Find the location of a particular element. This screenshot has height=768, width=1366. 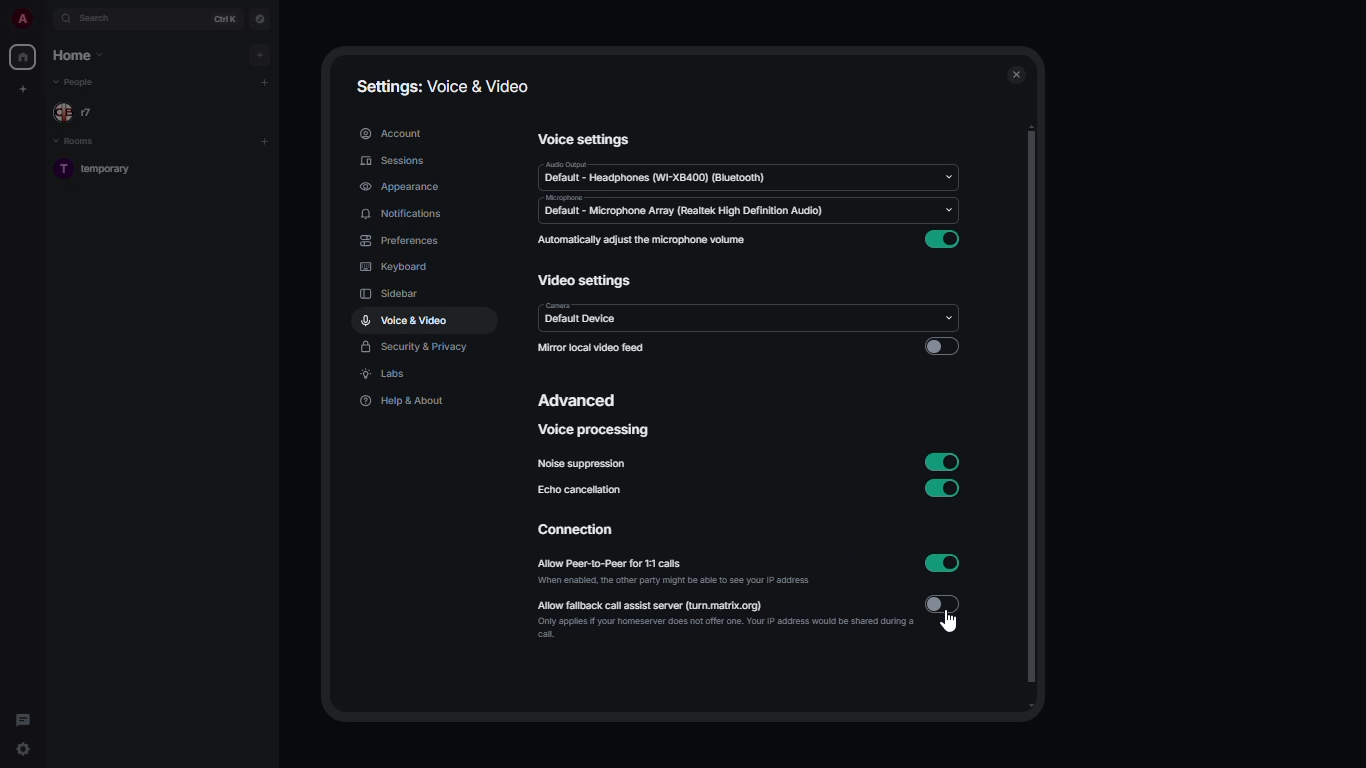

sidebar is located at coordinates (392, 293).